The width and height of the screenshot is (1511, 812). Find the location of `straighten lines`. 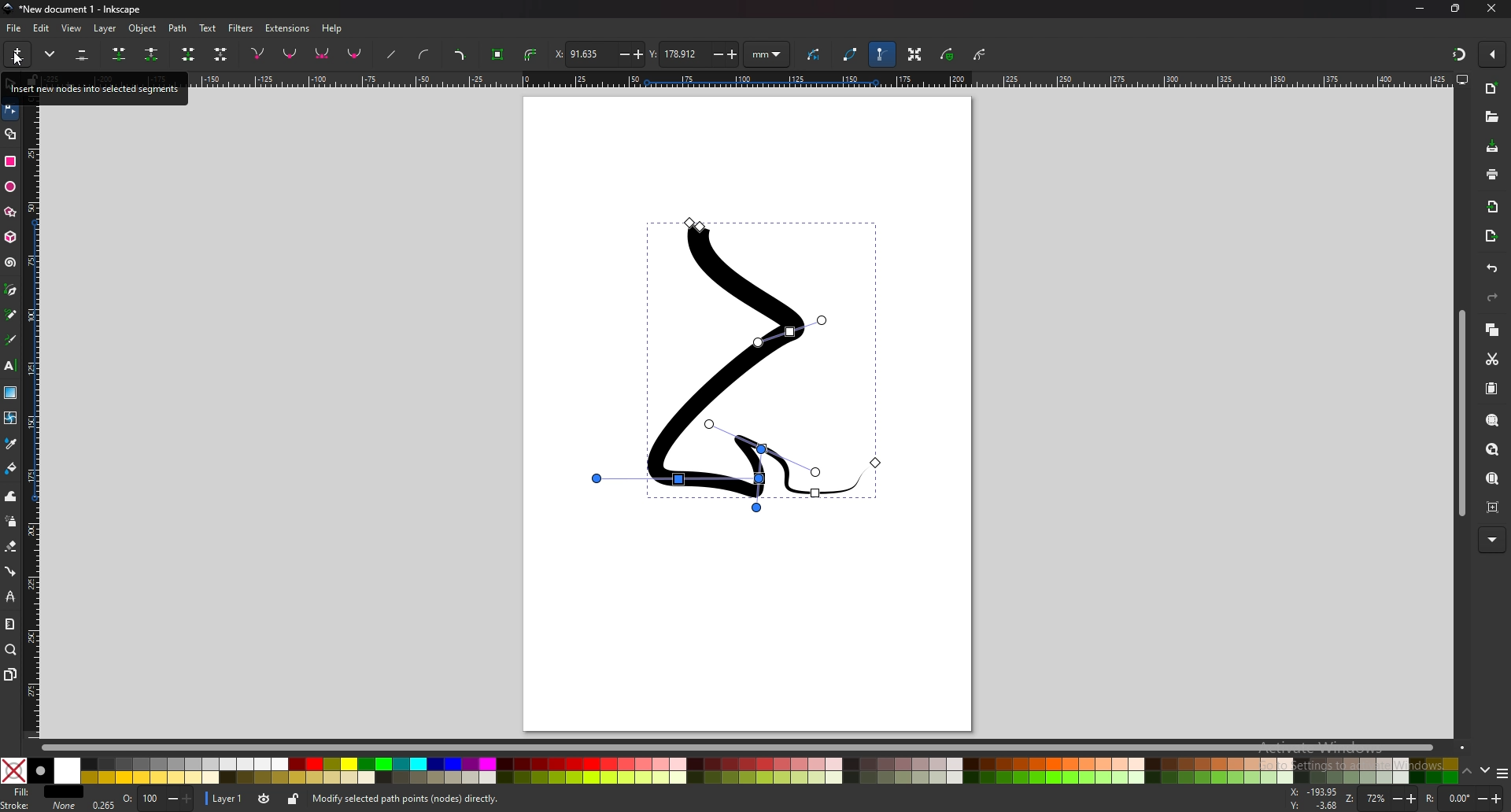

straighten lines is located at coordinates (391, 54).